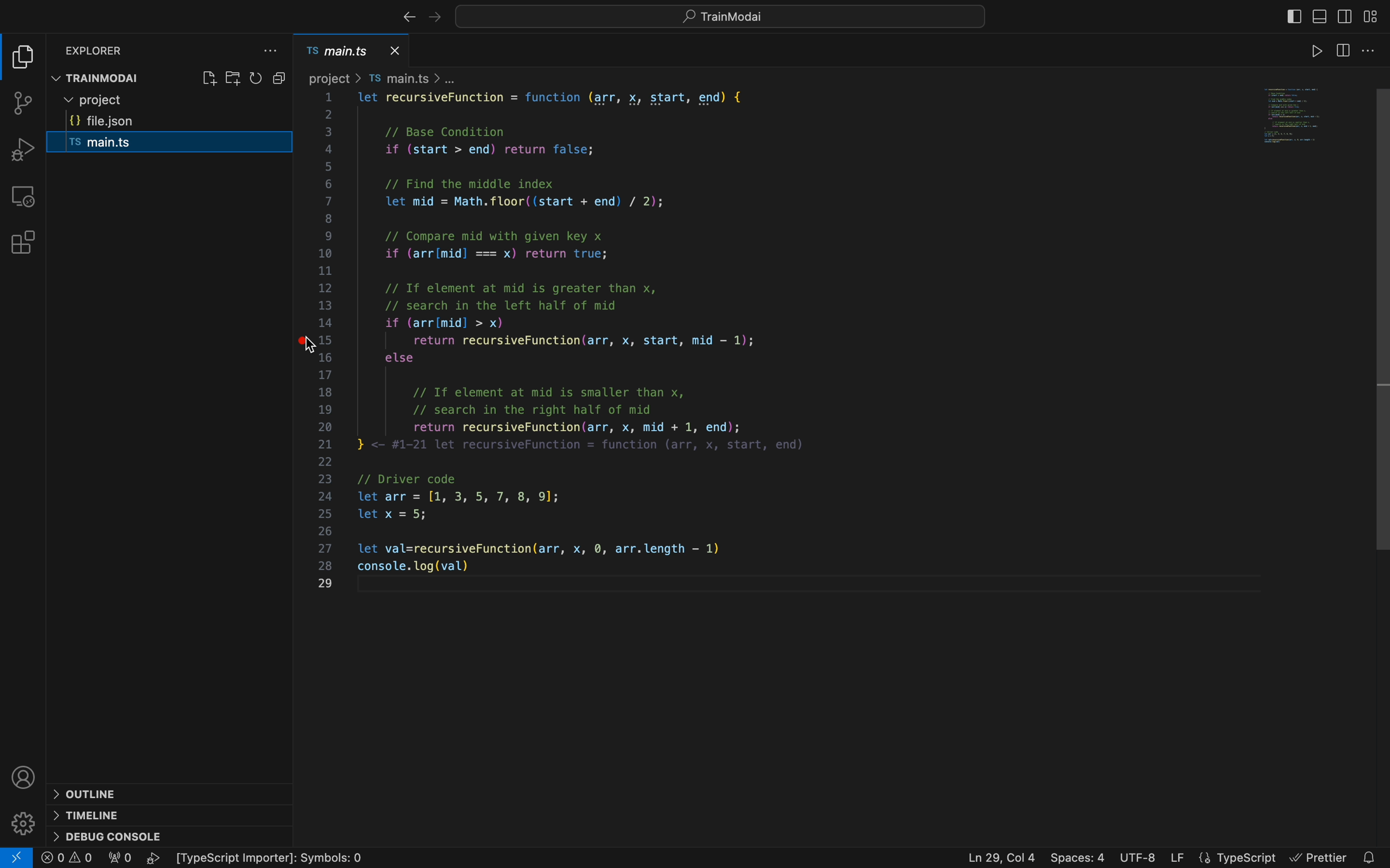  Describe the element at coordinates (26, 58) in the screenshot. I see `file explorer ` at that location.